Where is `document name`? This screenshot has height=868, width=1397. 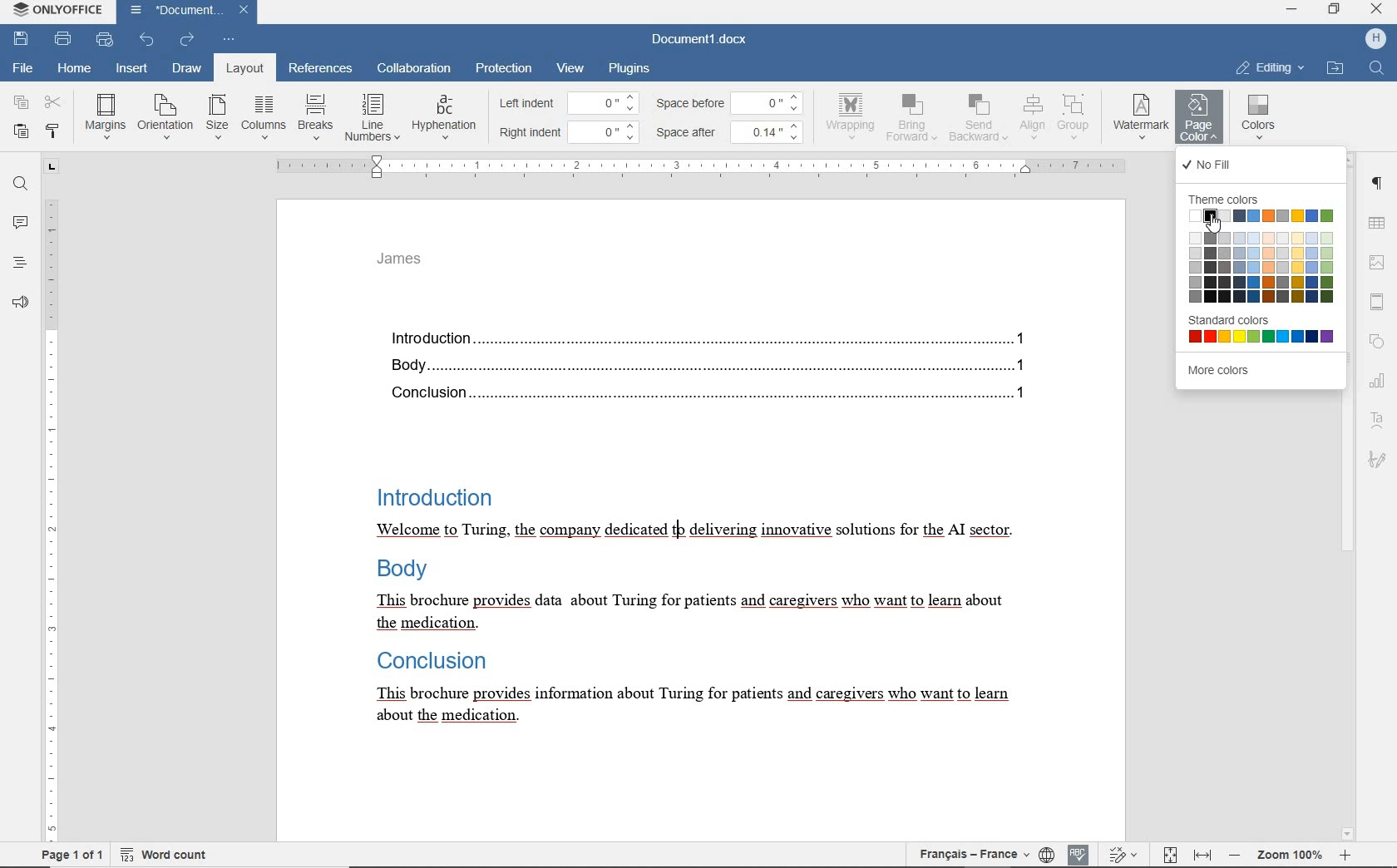
document name is located at coordinates (175, 12).